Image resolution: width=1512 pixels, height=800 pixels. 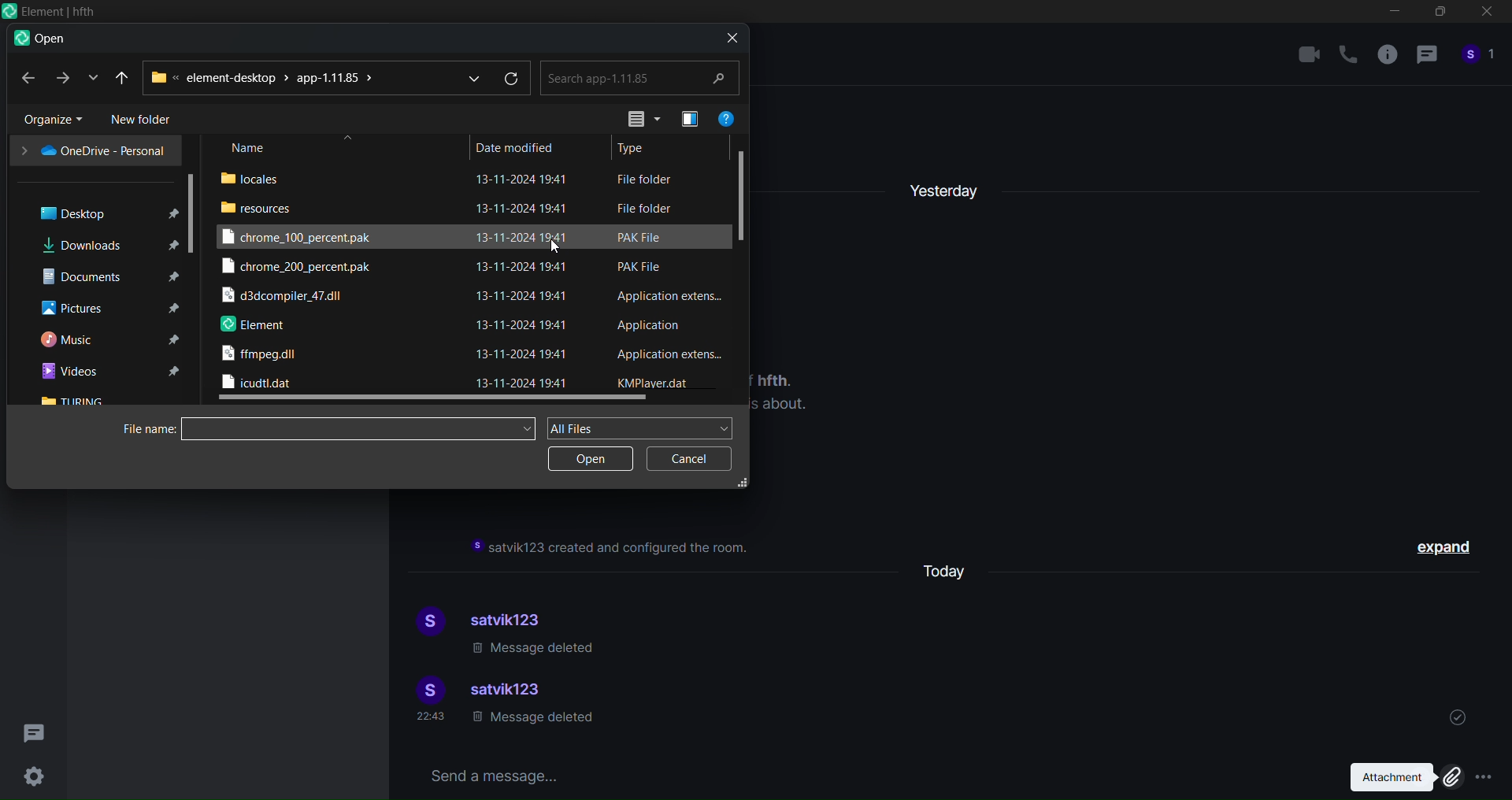 I want to click on back, so click(x=26, y=78).